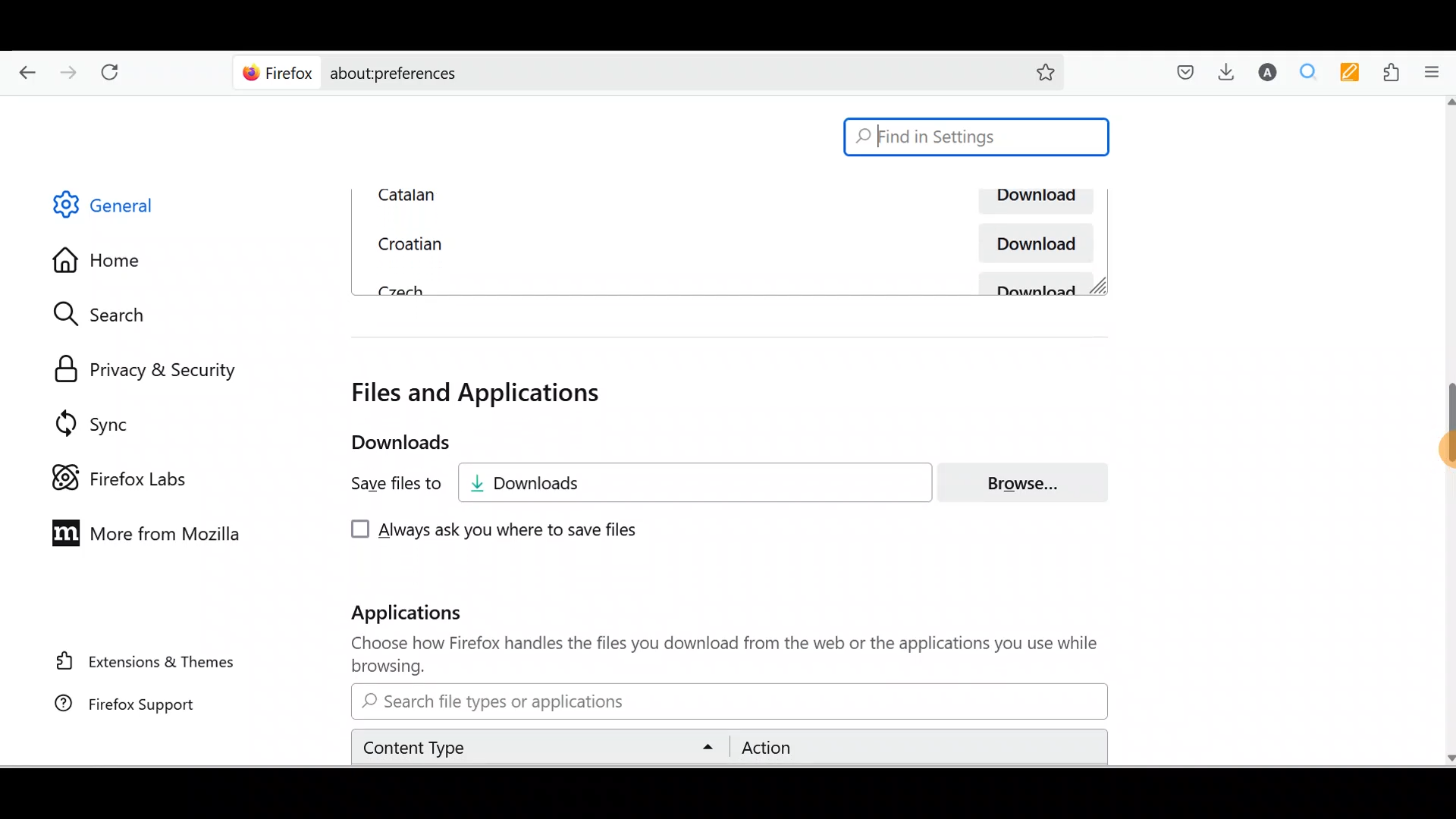  What do you see at coordinates (98, 258) in the screenshot?
I see `Home settings` at bounding box center [98, 258].